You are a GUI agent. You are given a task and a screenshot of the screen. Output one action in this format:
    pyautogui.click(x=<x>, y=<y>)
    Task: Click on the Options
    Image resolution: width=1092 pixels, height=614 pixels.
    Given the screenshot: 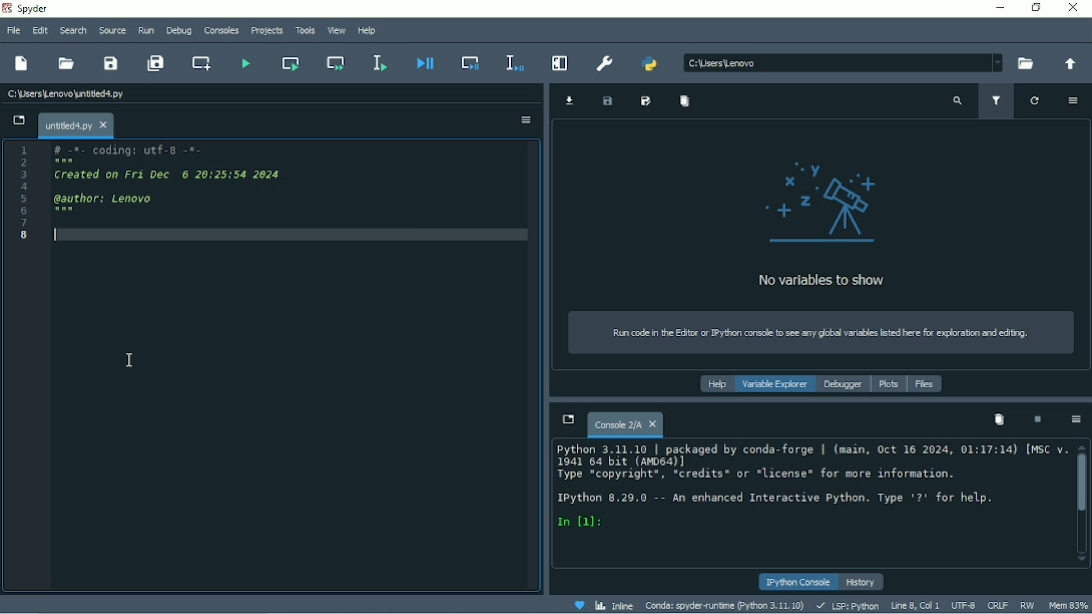 What is the action you would take?
    pyautogui.click(x=517, y=121)
    